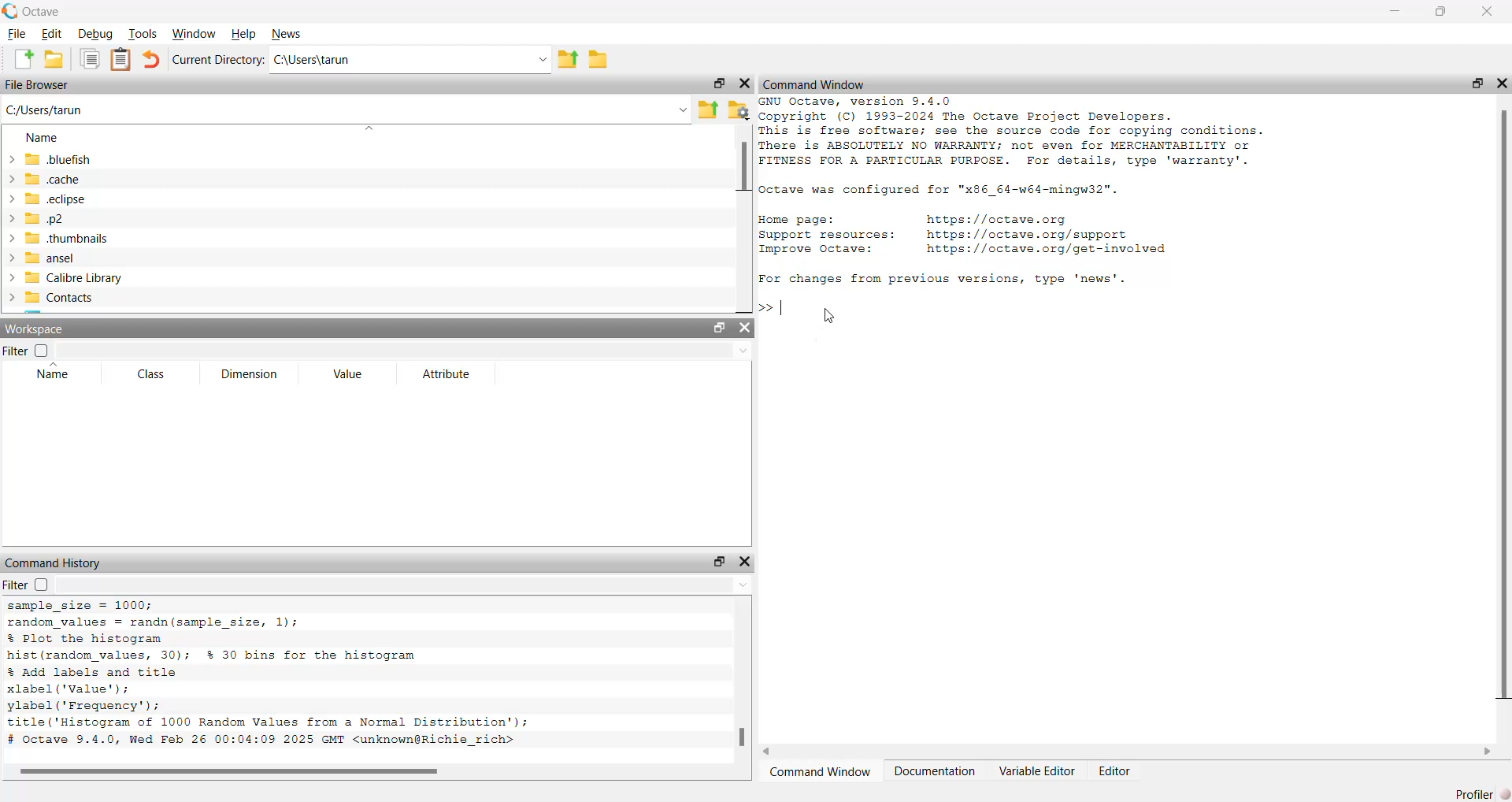  What do you see at coordinates (720, 327) in the screenshot?
I see `maximize` at bounding box center [720, 327].